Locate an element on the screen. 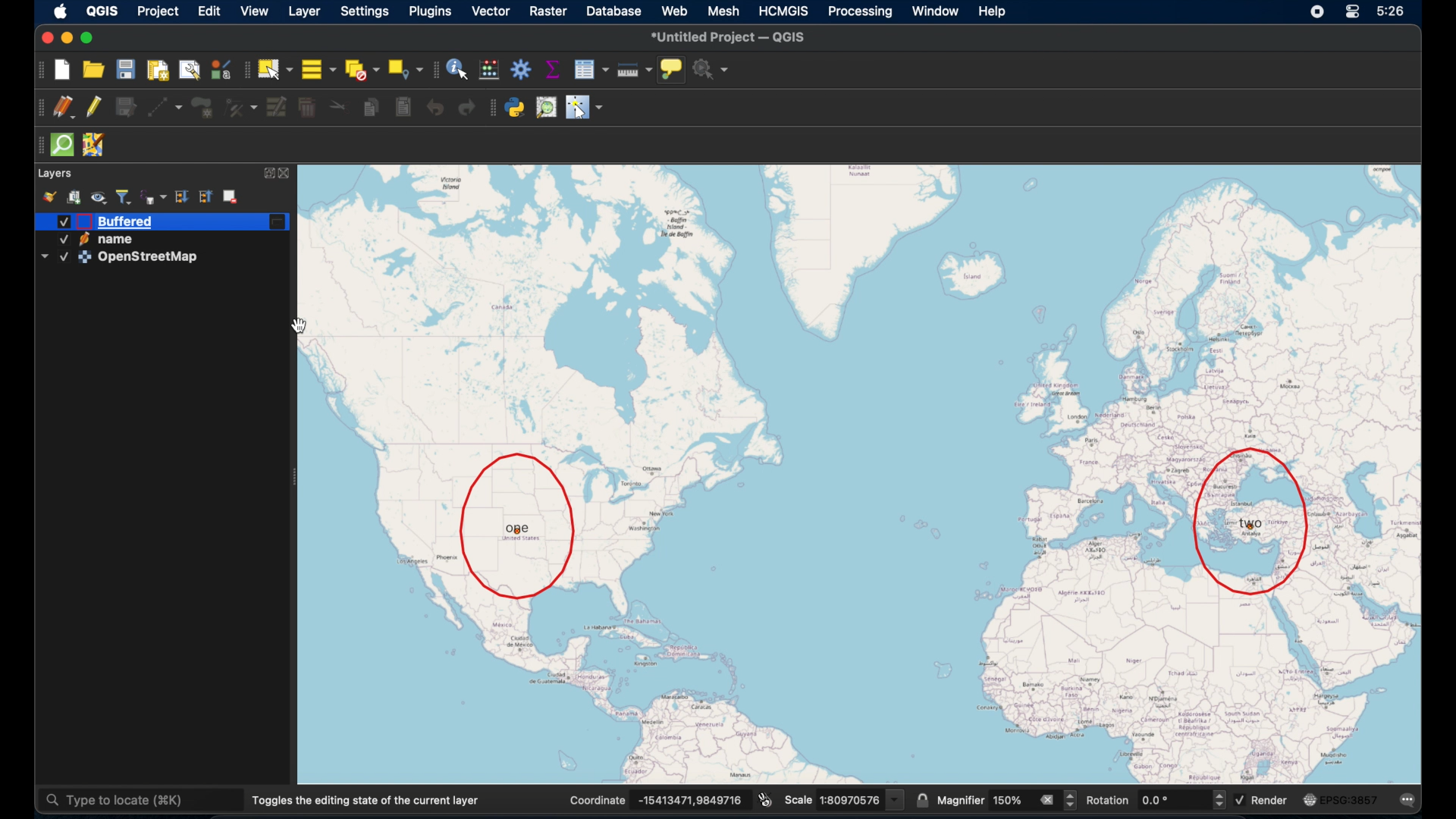 This screenshot has width=1456, height=819. messages is located at coordinates (1410, 800).